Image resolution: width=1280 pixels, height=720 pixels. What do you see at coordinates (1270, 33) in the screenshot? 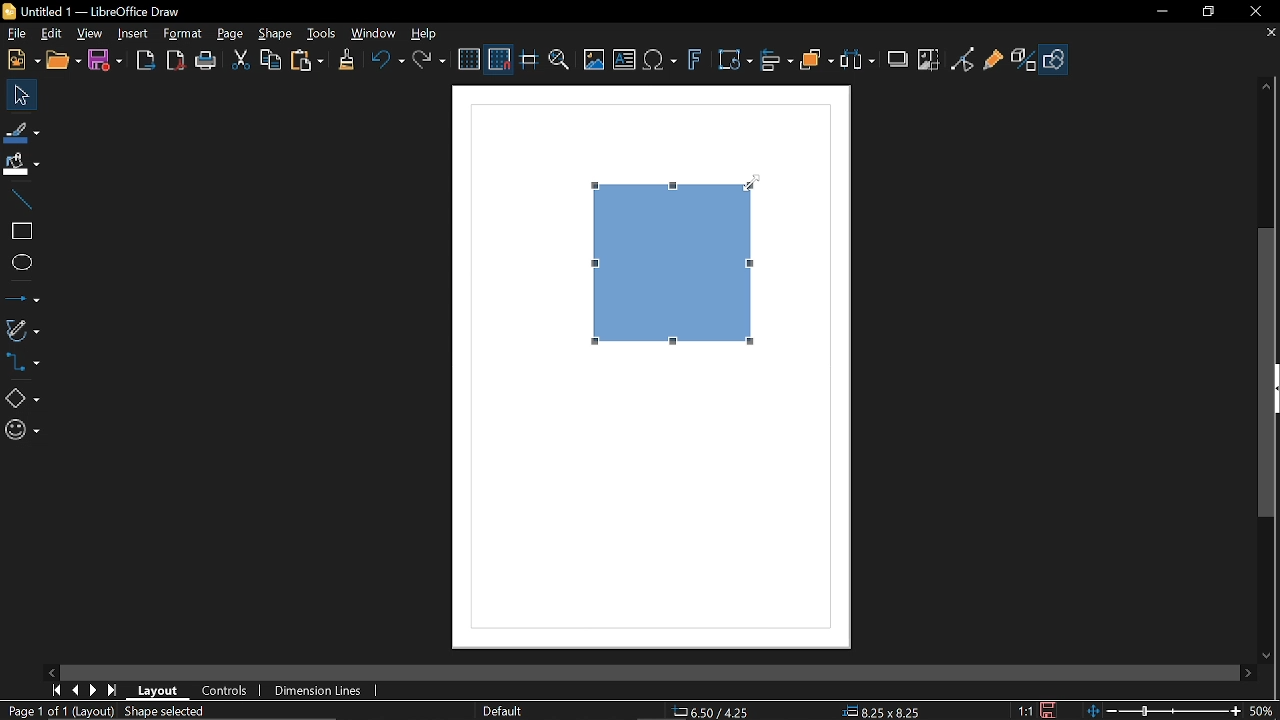
I see `Close current tab` at bounding box center [1270, 33].